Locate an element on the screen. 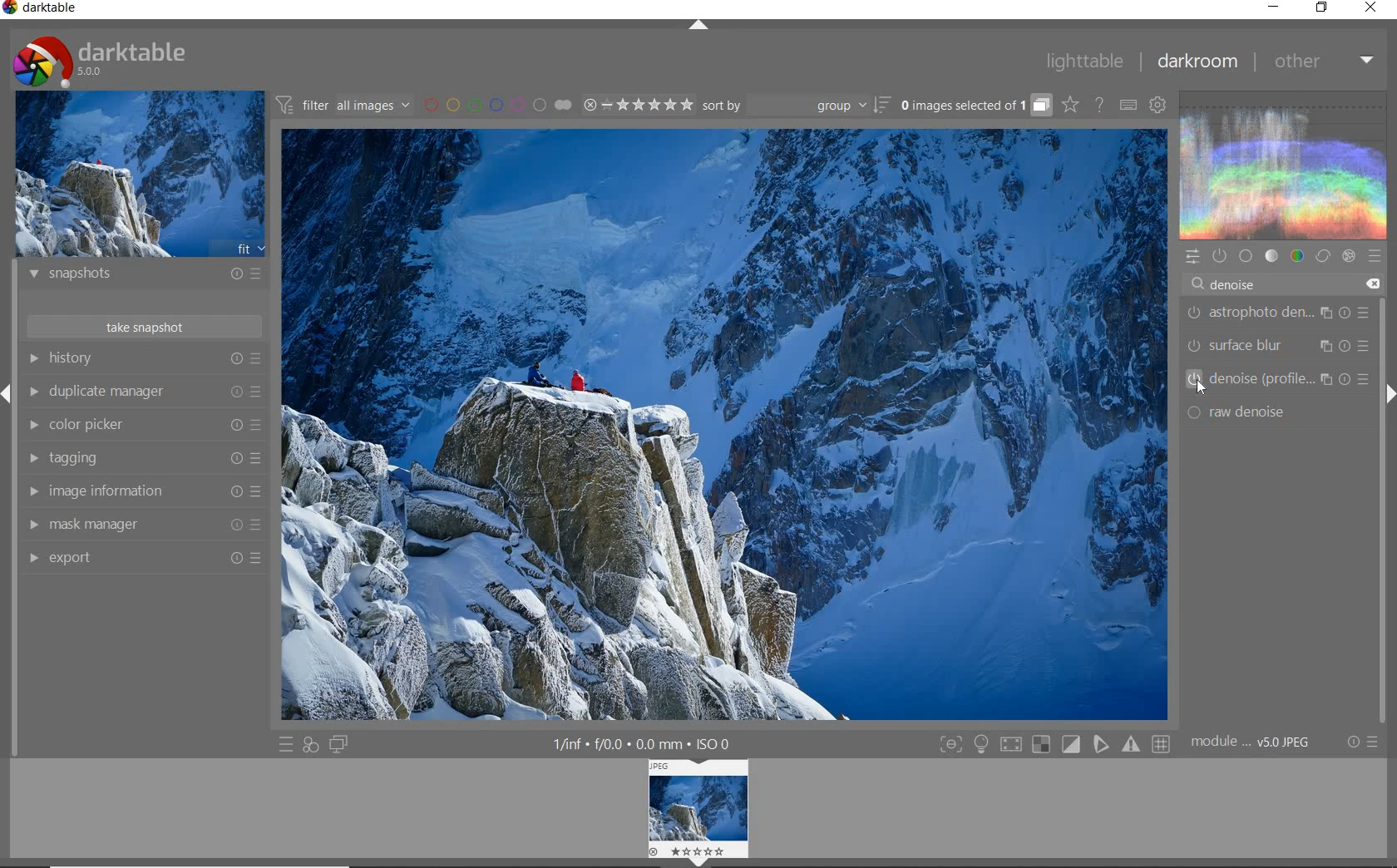  Darktable is located at coordinates (42, 11).